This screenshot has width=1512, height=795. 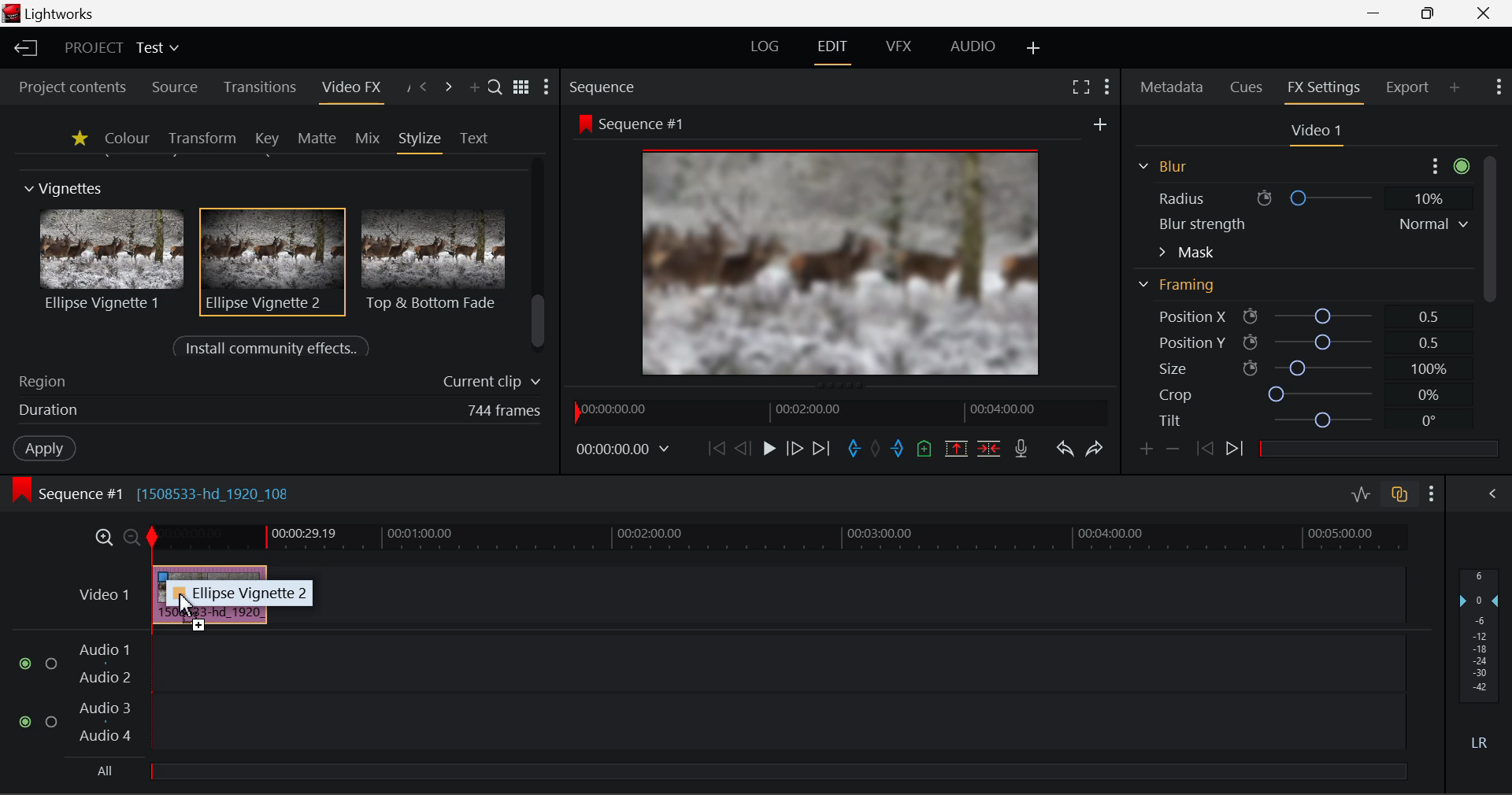 I want to click on To End, so click(x=823, y=446).